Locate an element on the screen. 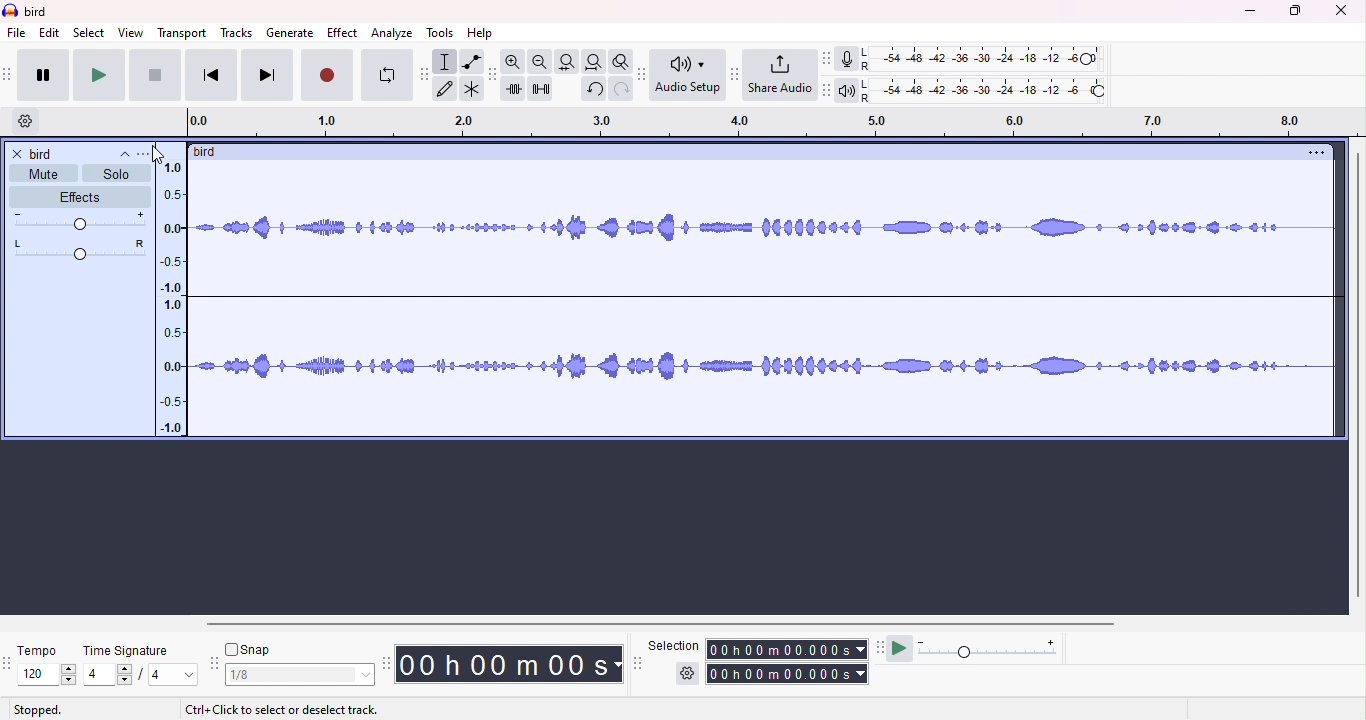 The width and height of the screenshot is (1366, 720). playback speed is located at coordinates (992, 649).